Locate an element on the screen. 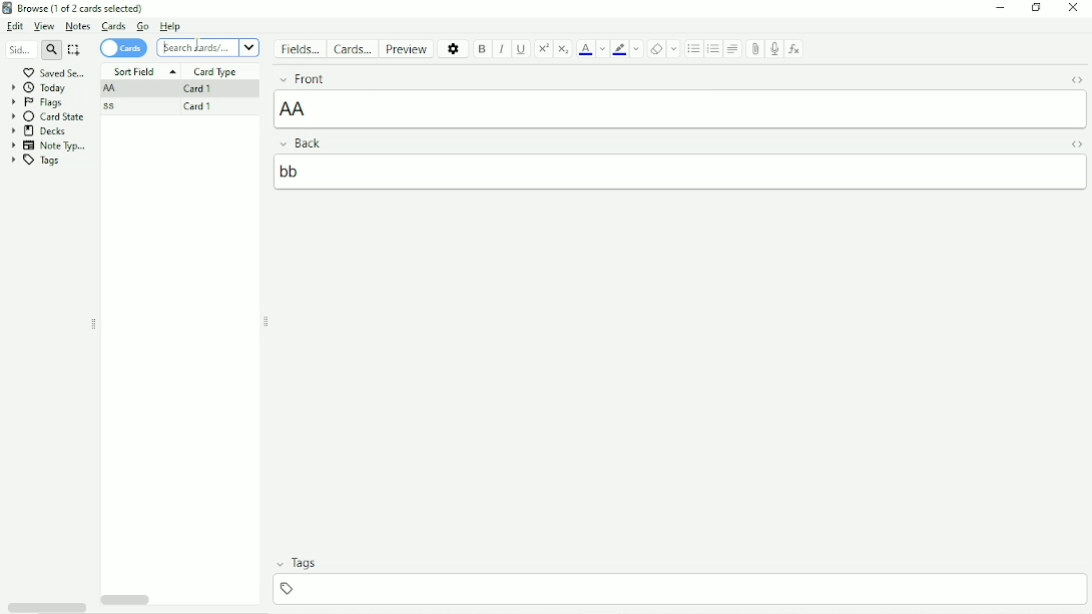 The height and width of the screenshot is (614, 1092). Toggle HTML Editor is located at coordinates (1076, 145).